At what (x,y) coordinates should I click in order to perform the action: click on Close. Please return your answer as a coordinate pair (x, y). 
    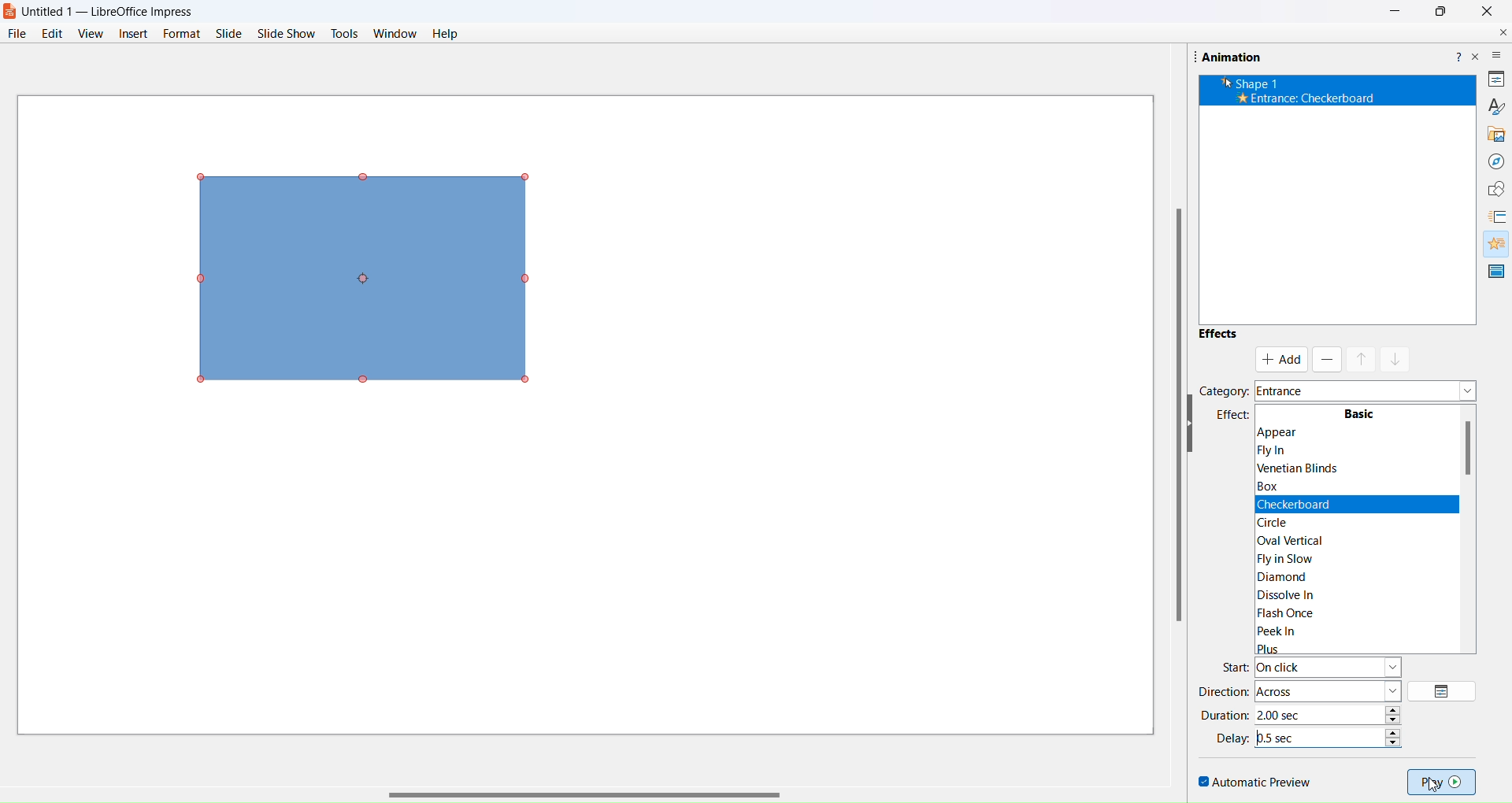
    Looking at the image, I should click on (1492, 14).